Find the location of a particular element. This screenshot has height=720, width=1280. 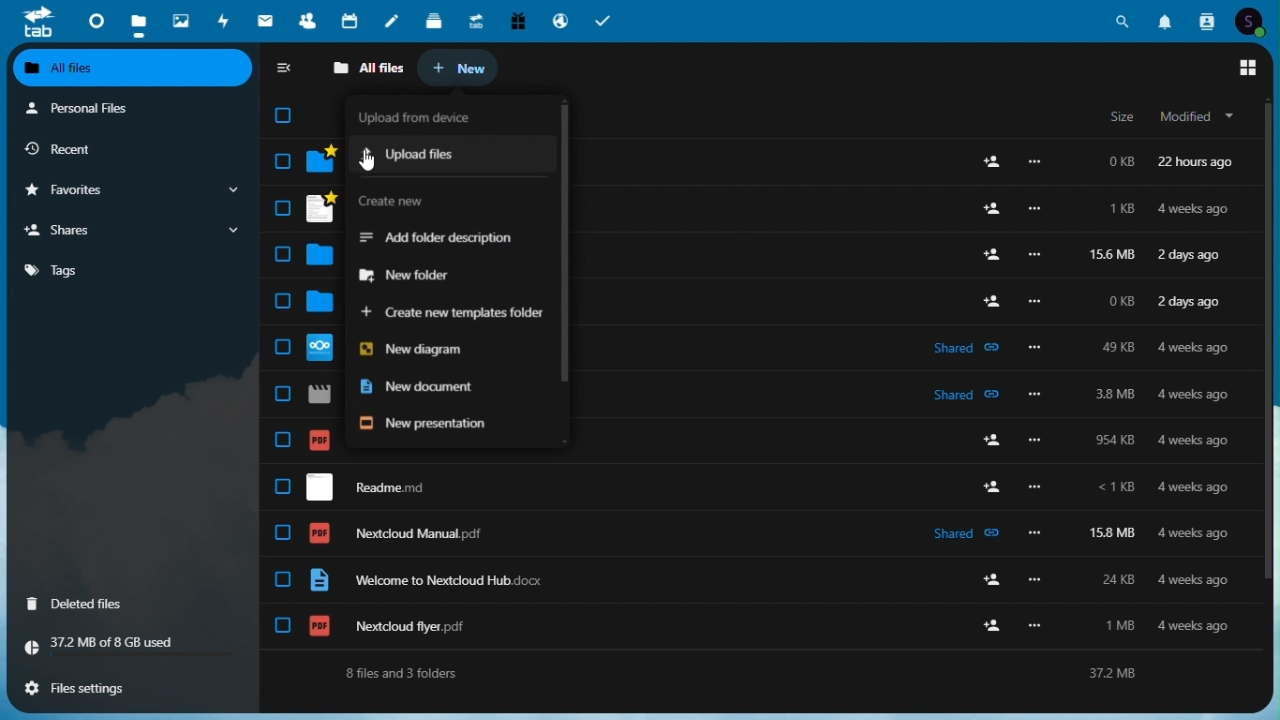

4 weeks ago is located at coordinates (1196, 536).